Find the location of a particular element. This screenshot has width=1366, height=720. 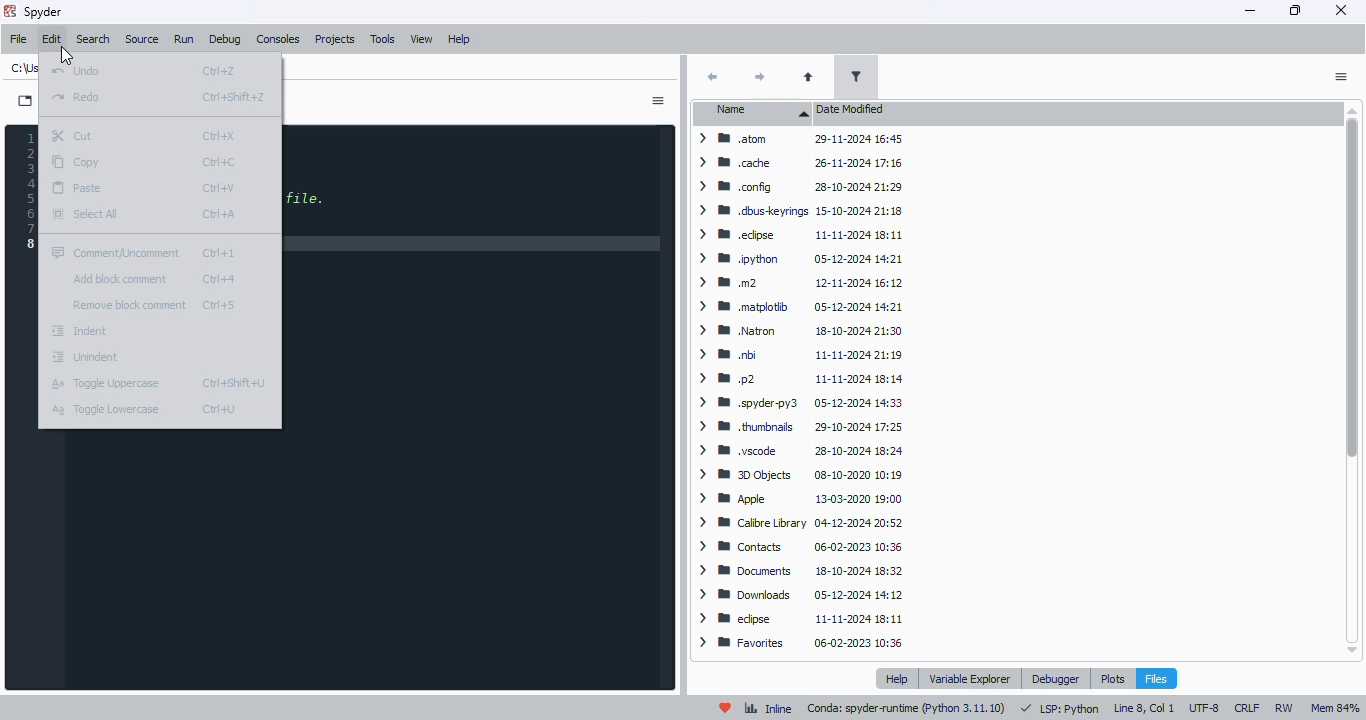

cursor is located at coordinates (67, 56).